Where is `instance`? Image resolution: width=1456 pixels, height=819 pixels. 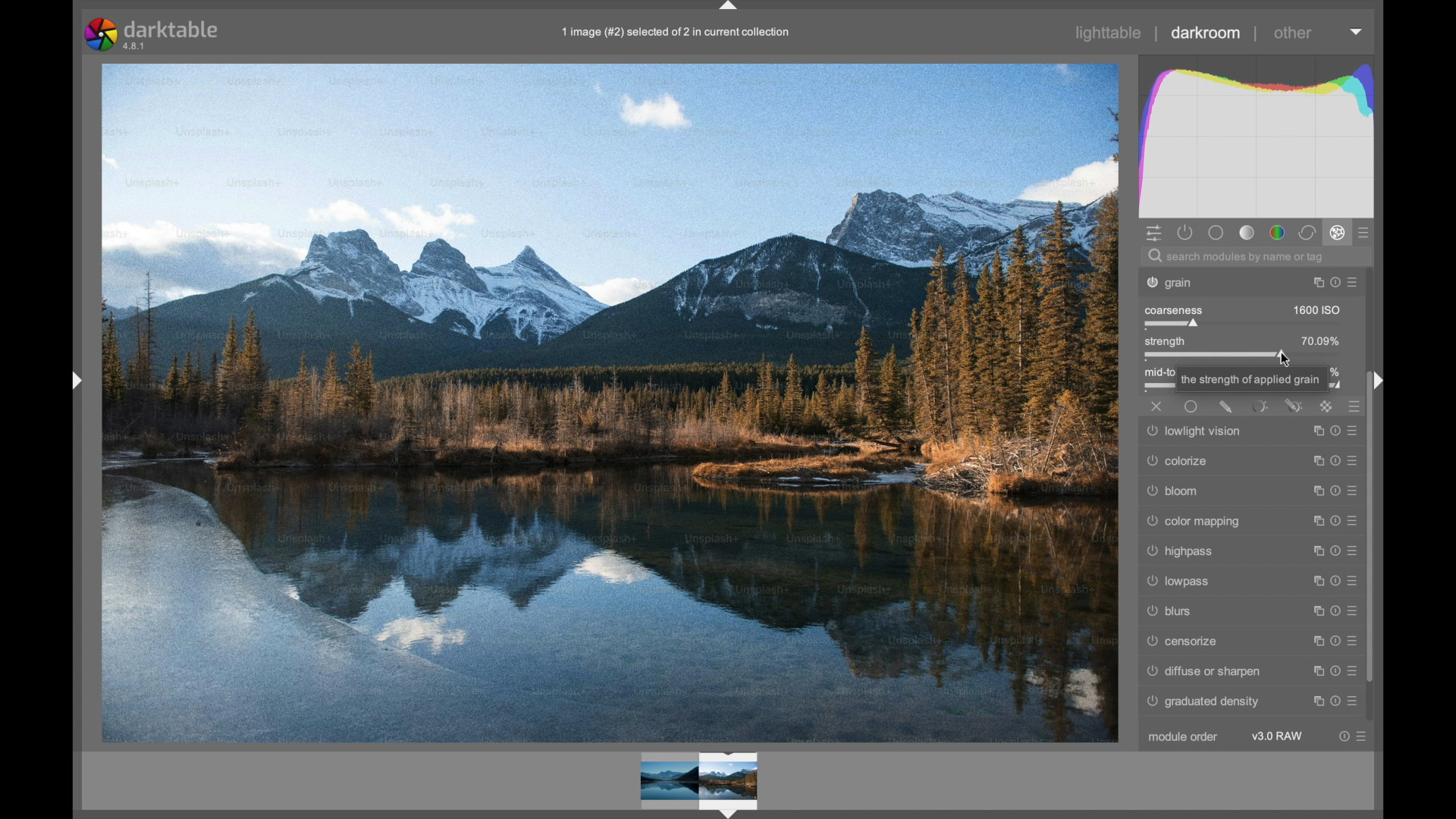
instance is located at coordinates (1314, 642).